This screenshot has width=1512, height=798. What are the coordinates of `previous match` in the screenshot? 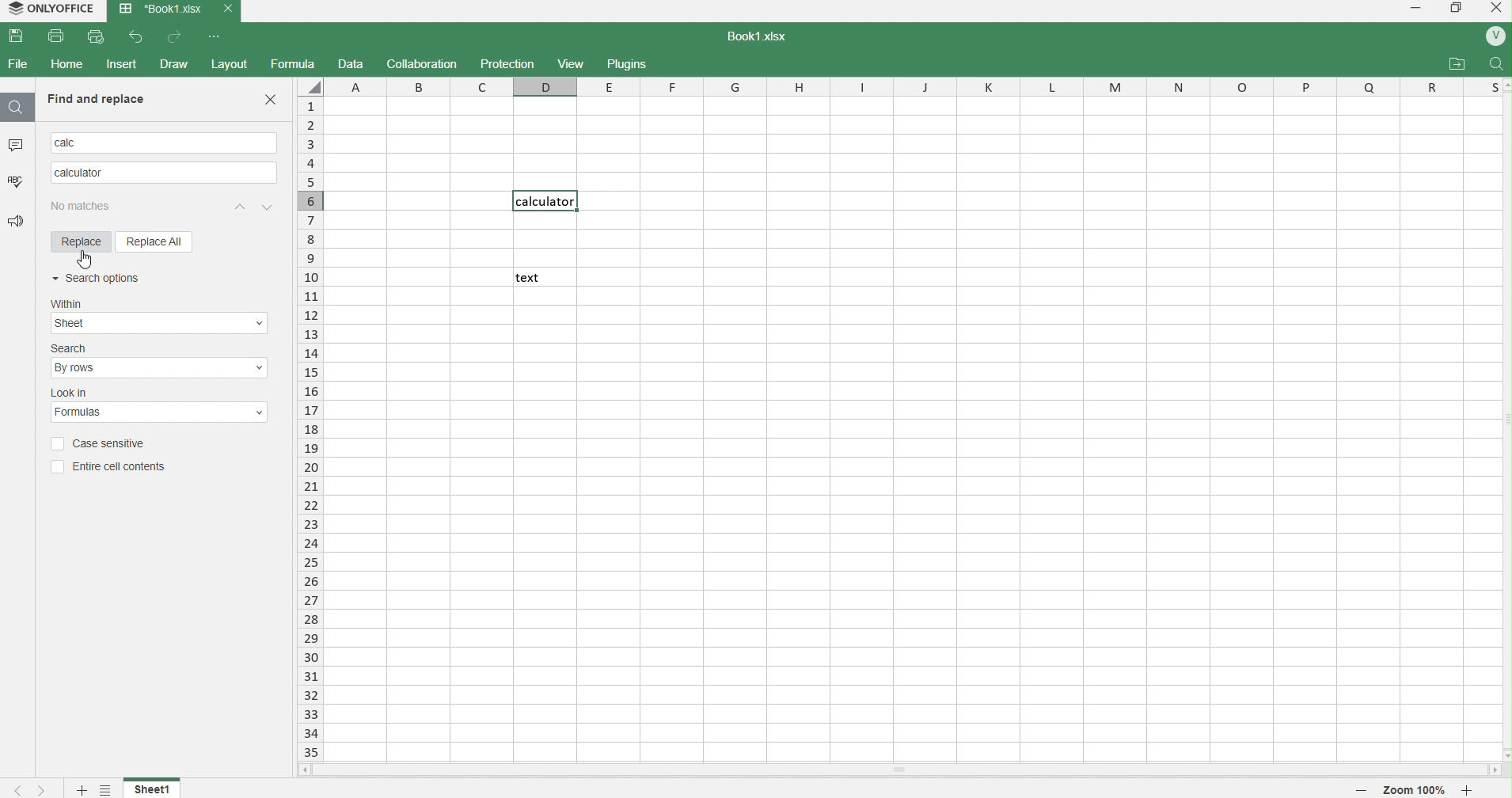 It's located at (270, 207).